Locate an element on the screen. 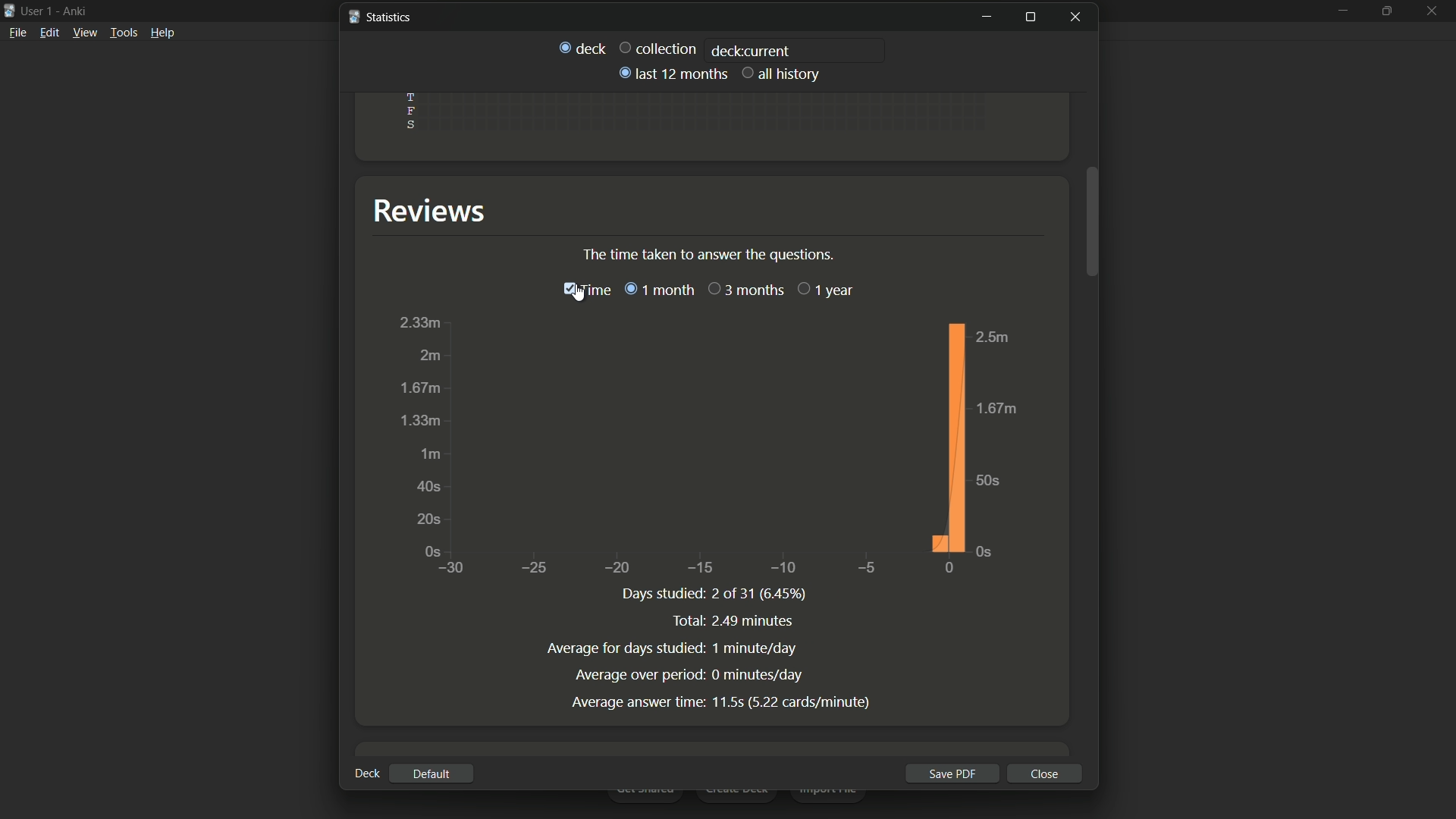 This screenshot has height=819, width=1456. close window is located at coordinates (1078, 17).